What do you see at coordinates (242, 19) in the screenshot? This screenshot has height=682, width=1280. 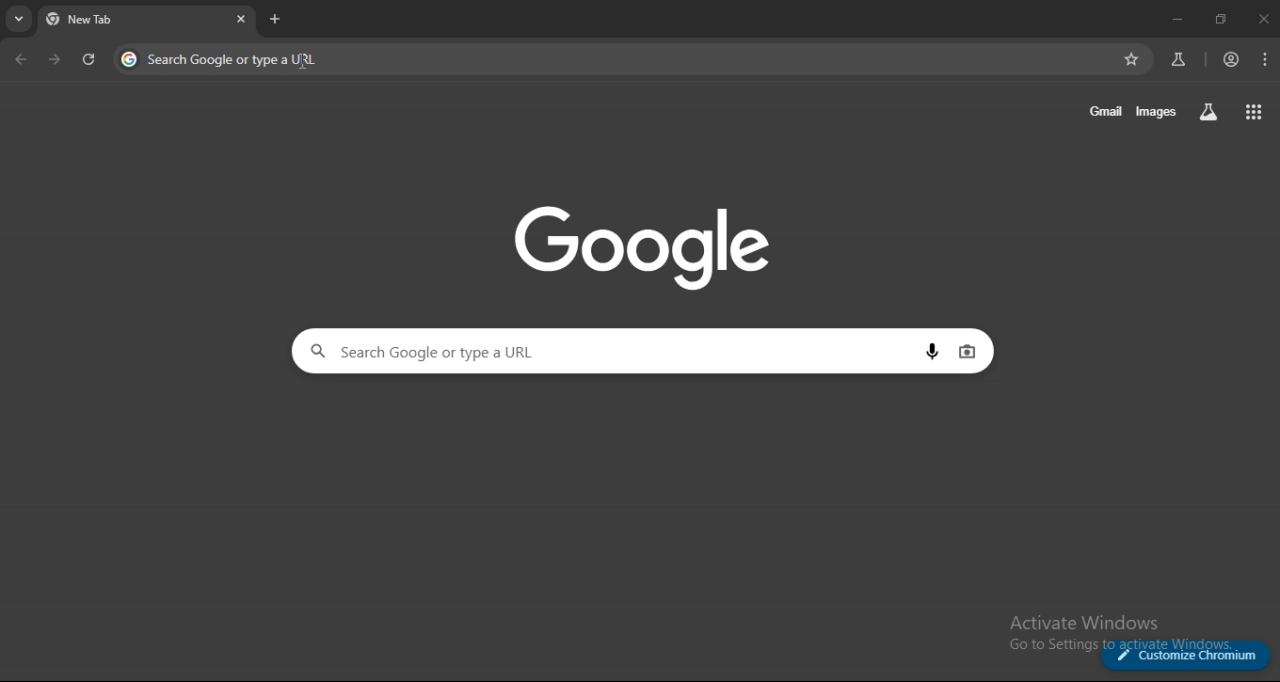 I see `close tab` at bounding box center [242, 19].